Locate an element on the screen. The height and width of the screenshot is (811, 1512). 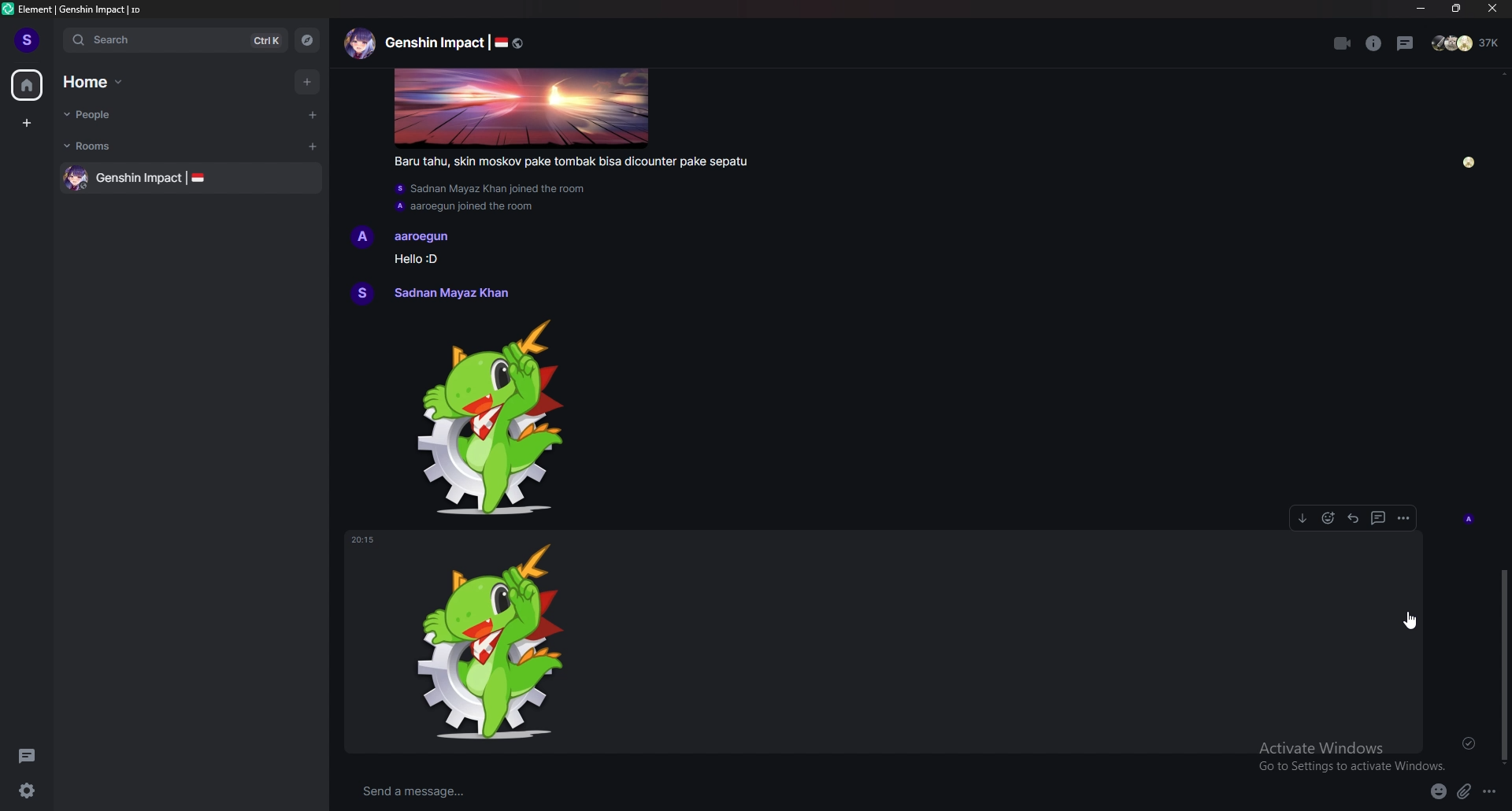
Baru tahu, skin moskov pake tombak bisa dicounter pake sepatu is located at coordinates (571, 161).